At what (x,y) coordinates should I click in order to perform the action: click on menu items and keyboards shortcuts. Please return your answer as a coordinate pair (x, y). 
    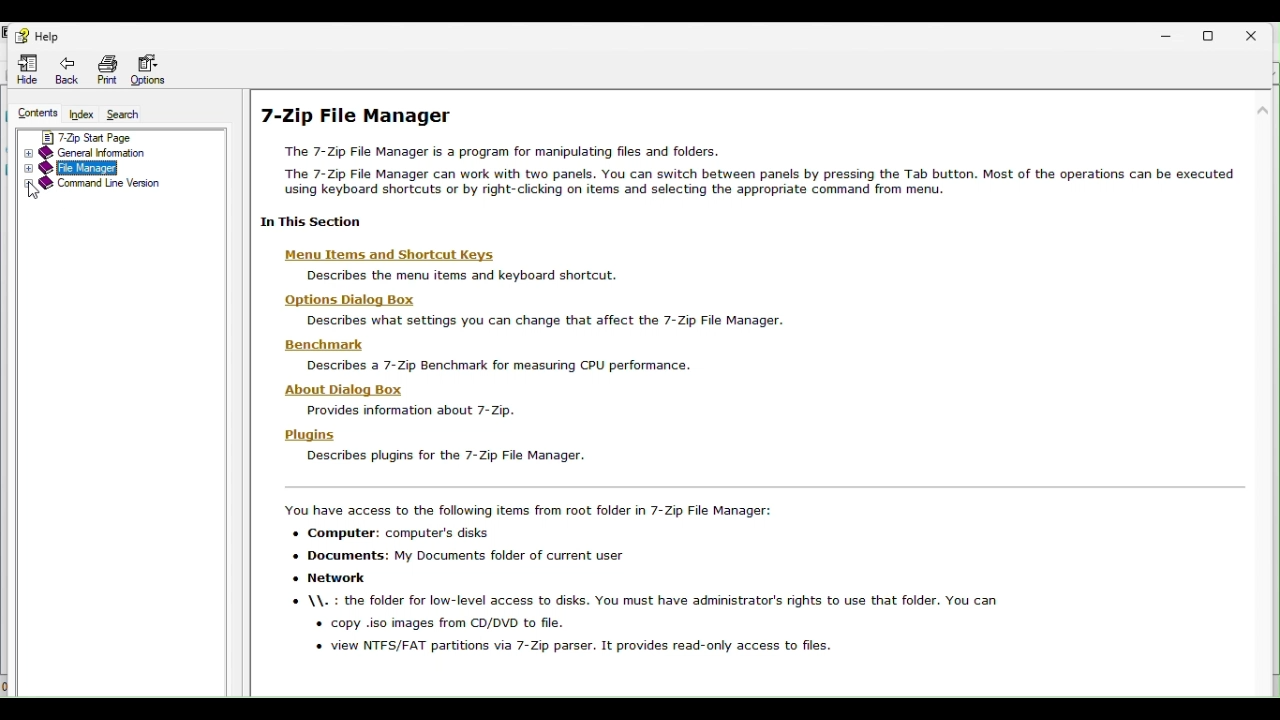
    Looking at the image, I should click on (401, 255).